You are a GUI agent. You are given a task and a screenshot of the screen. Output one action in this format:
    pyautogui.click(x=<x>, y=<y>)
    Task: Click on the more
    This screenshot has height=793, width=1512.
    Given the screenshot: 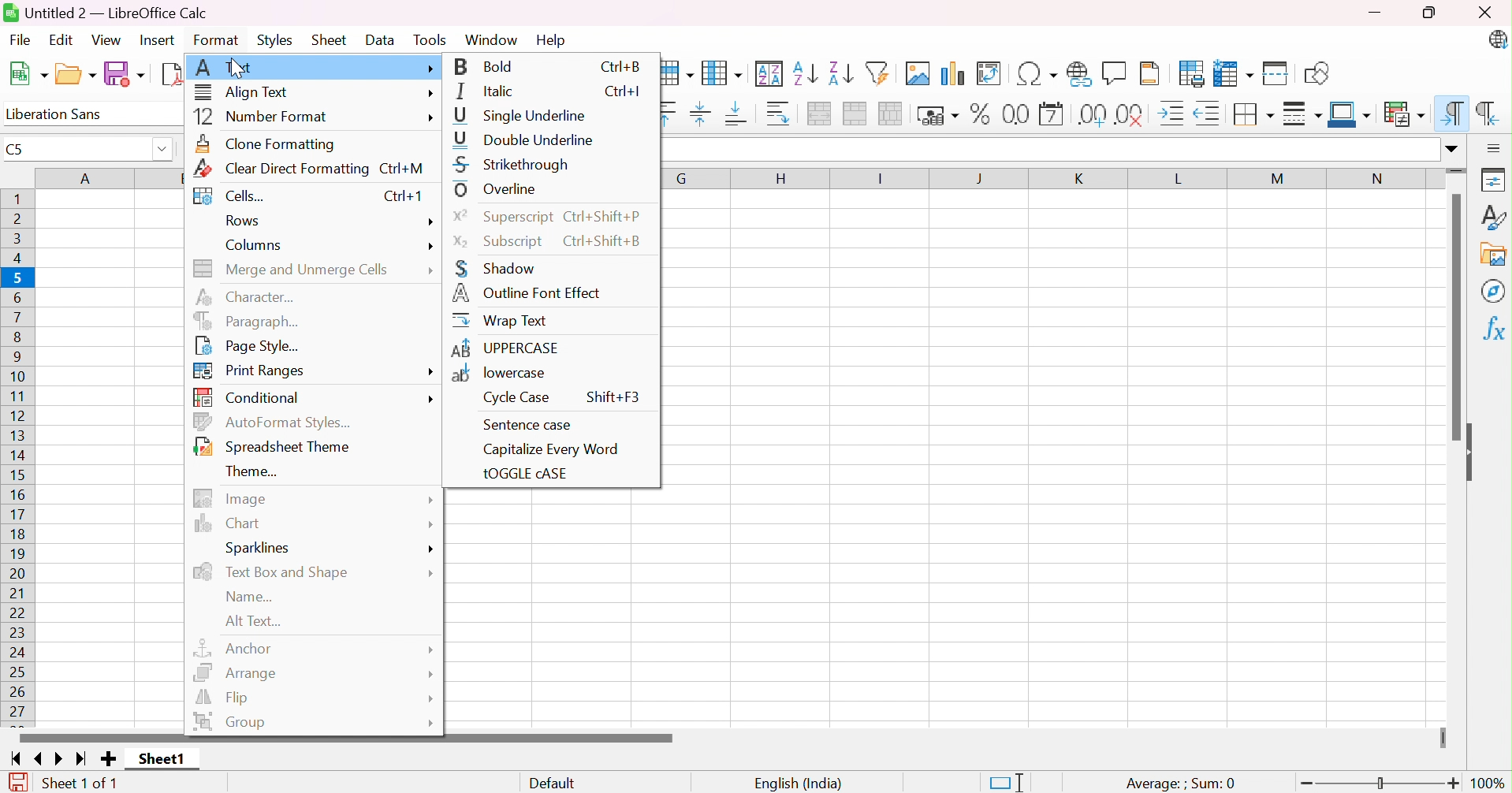 What is the action you would take?
    pyautogui.click(x=431, y=94)
    